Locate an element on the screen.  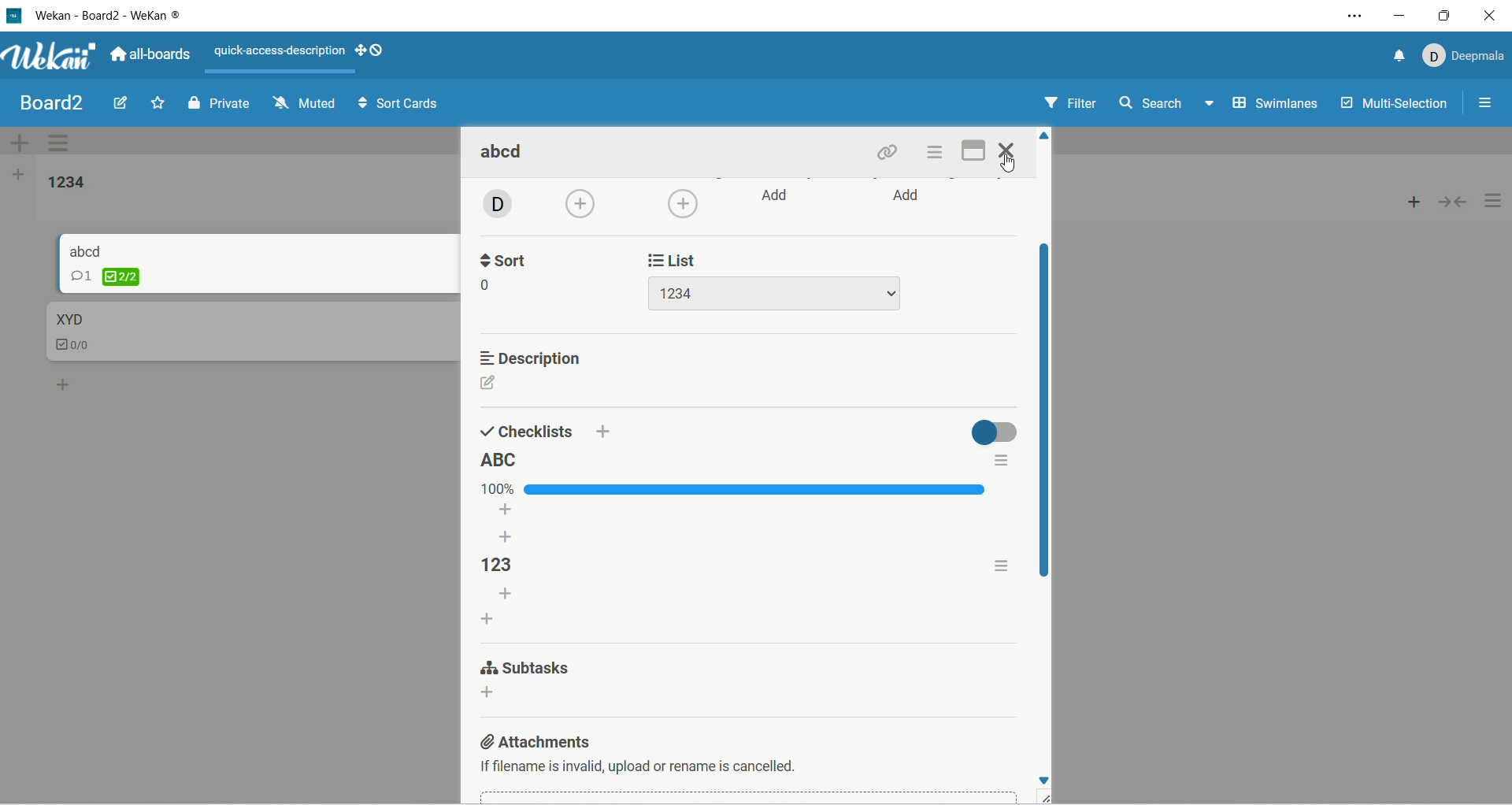
card title is located at coordinates (505, 154).